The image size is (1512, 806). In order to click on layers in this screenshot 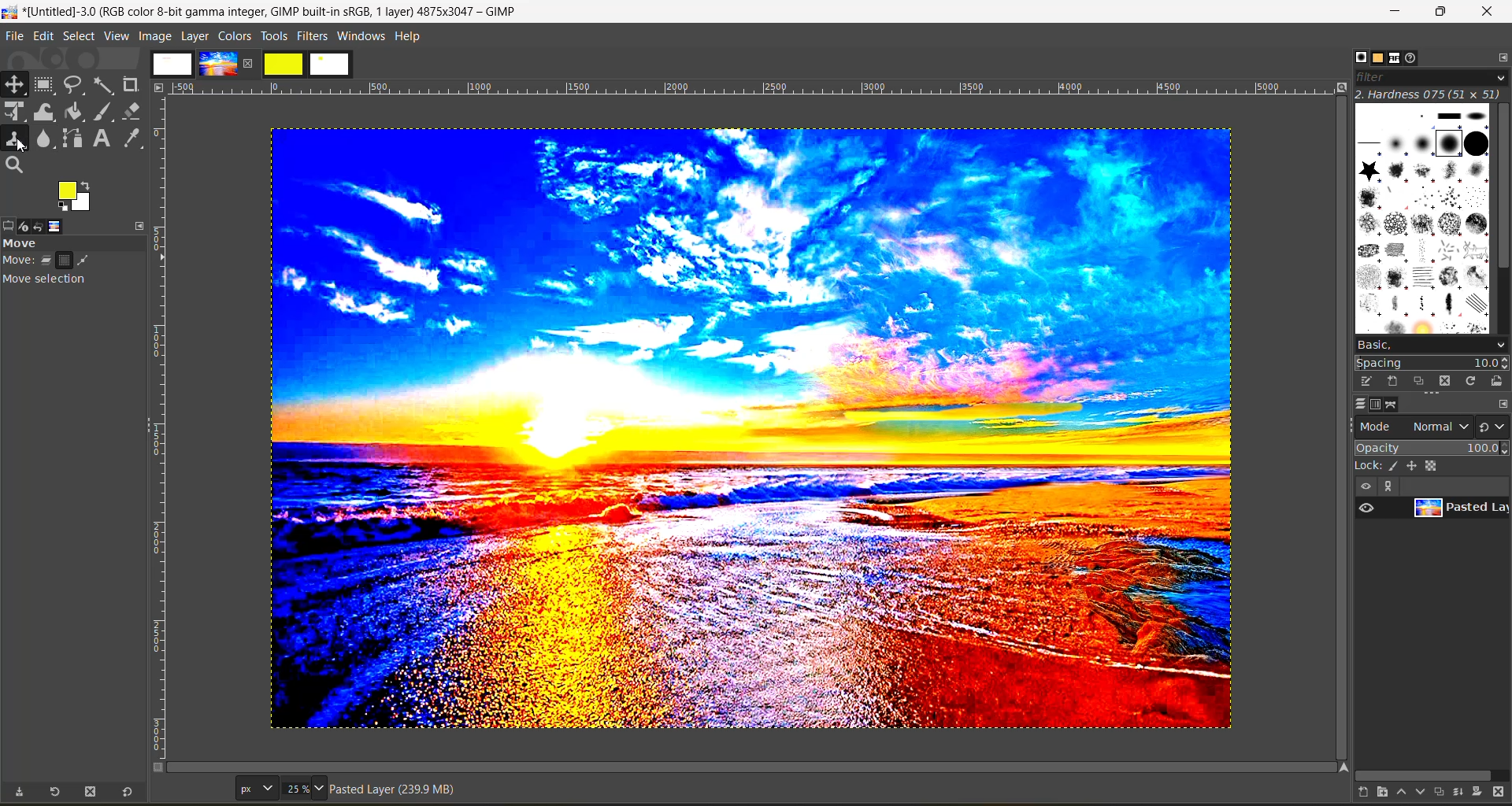, I will do `click(1355, 405)`.